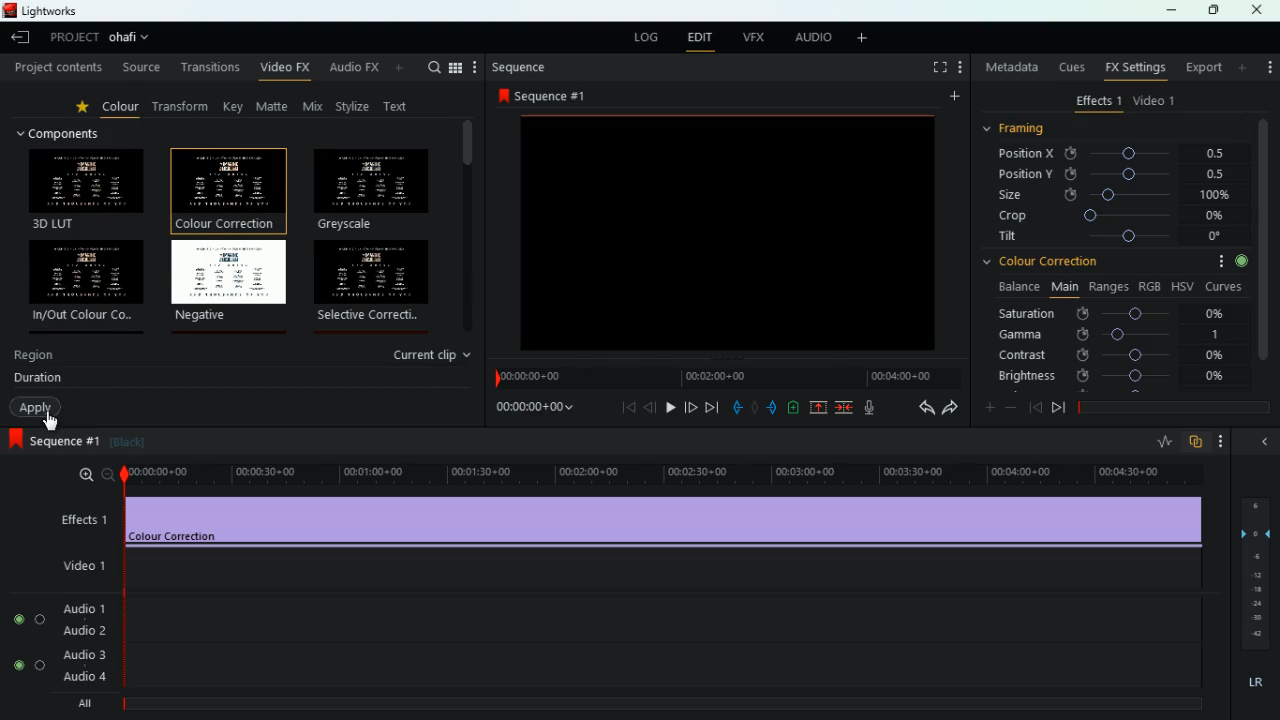 The image size is (1280, 720). Describe the element at coordinates (653, 471) in the screenshot. I see `time` at that location.